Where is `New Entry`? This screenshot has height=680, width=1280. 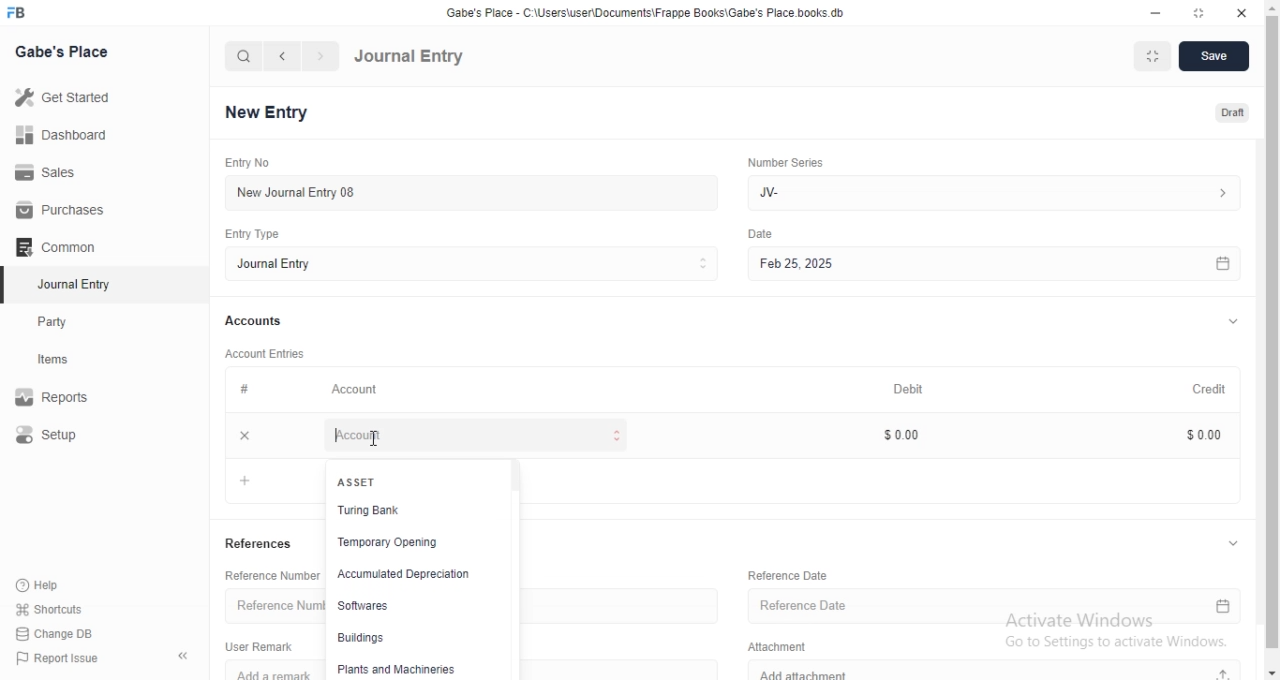 New Entry is located at coordinates (266, 111).